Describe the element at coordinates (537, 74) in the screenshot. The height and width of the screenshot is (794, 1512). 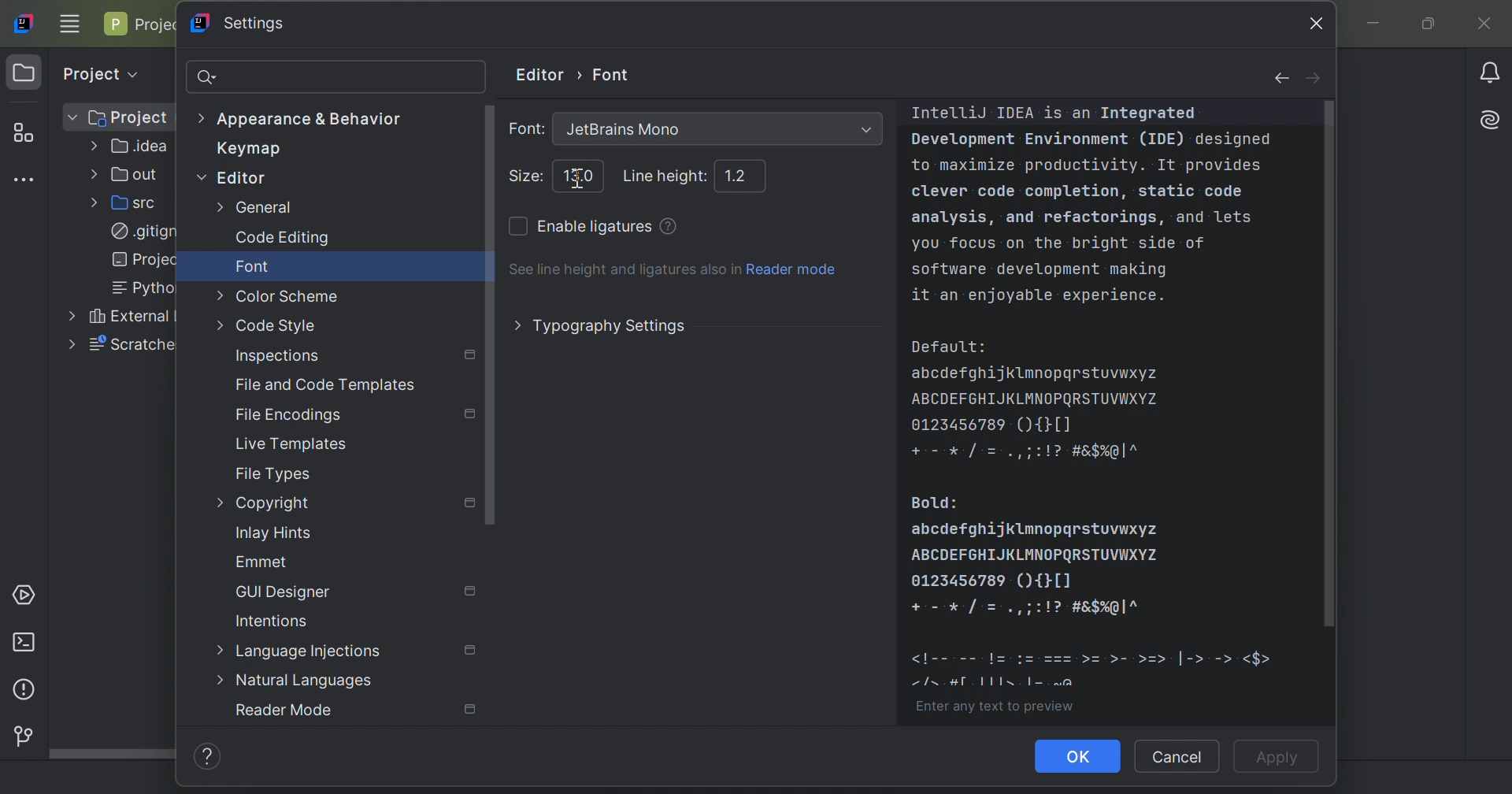
I see `Editor` at that location.